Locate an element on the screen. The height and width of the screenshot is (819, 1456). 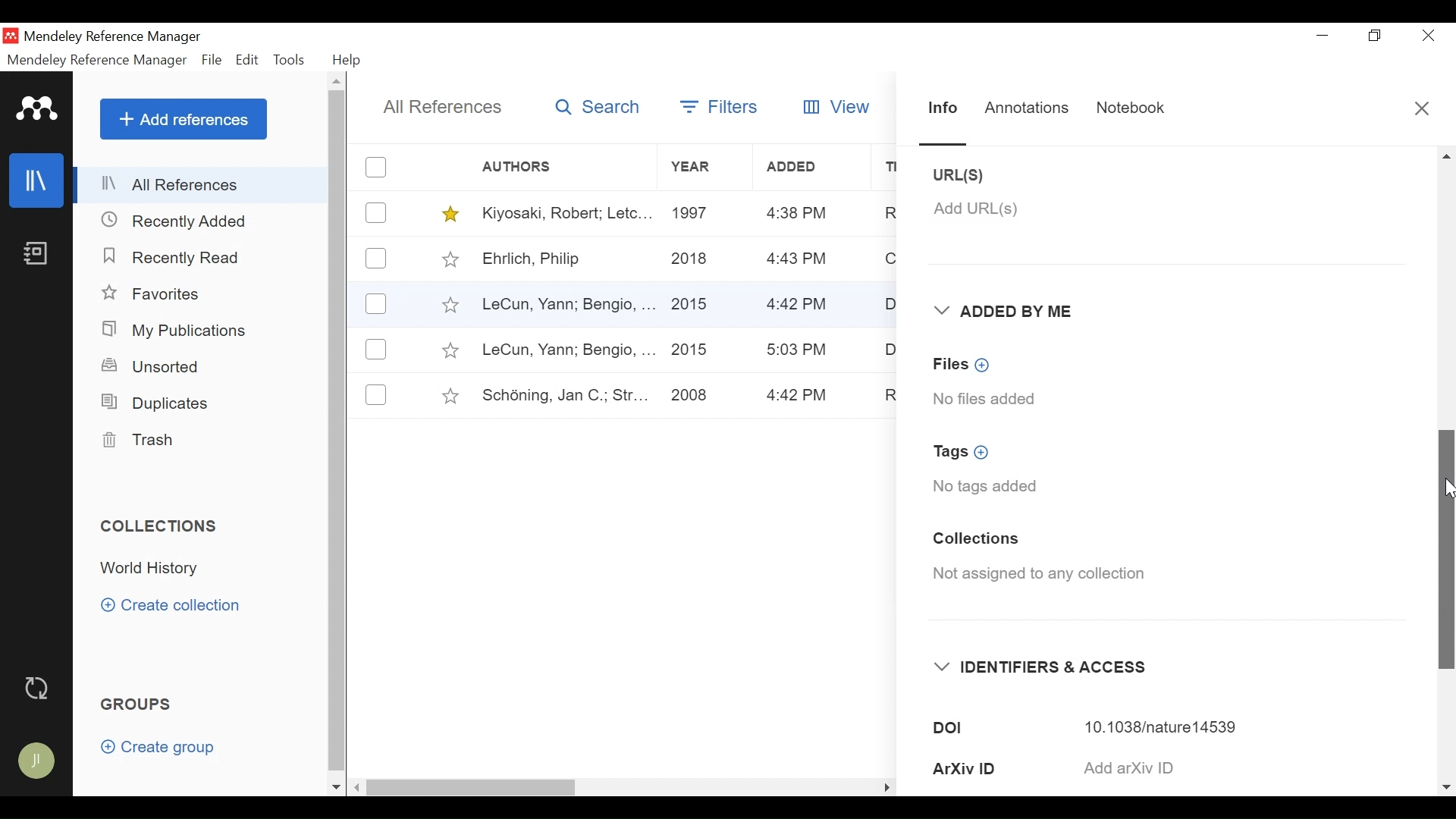
Toggle Favorites is located at coordinates (449, 304).